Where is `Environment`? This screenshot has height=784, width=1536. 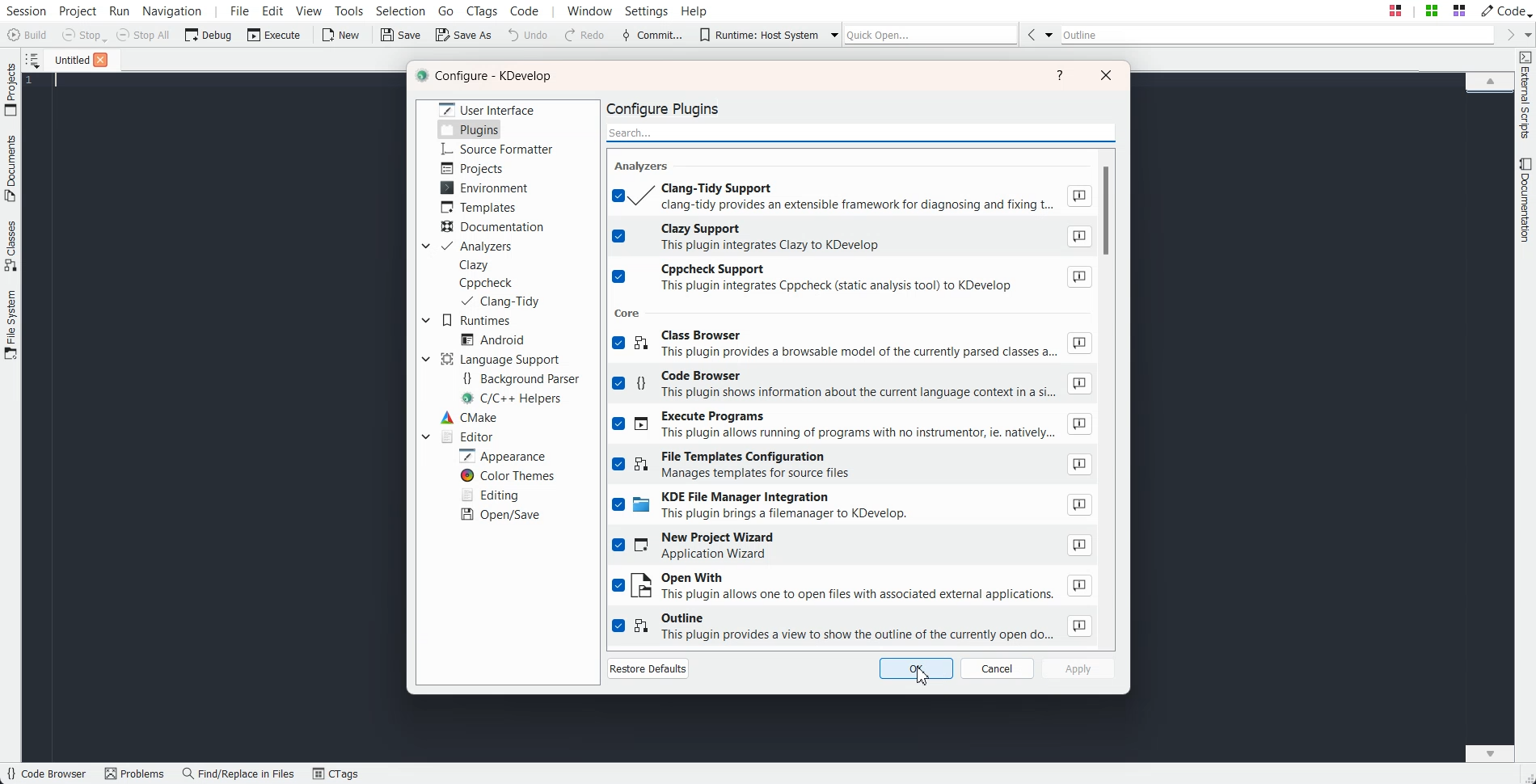
Environment is located at coordinates (484, 188).